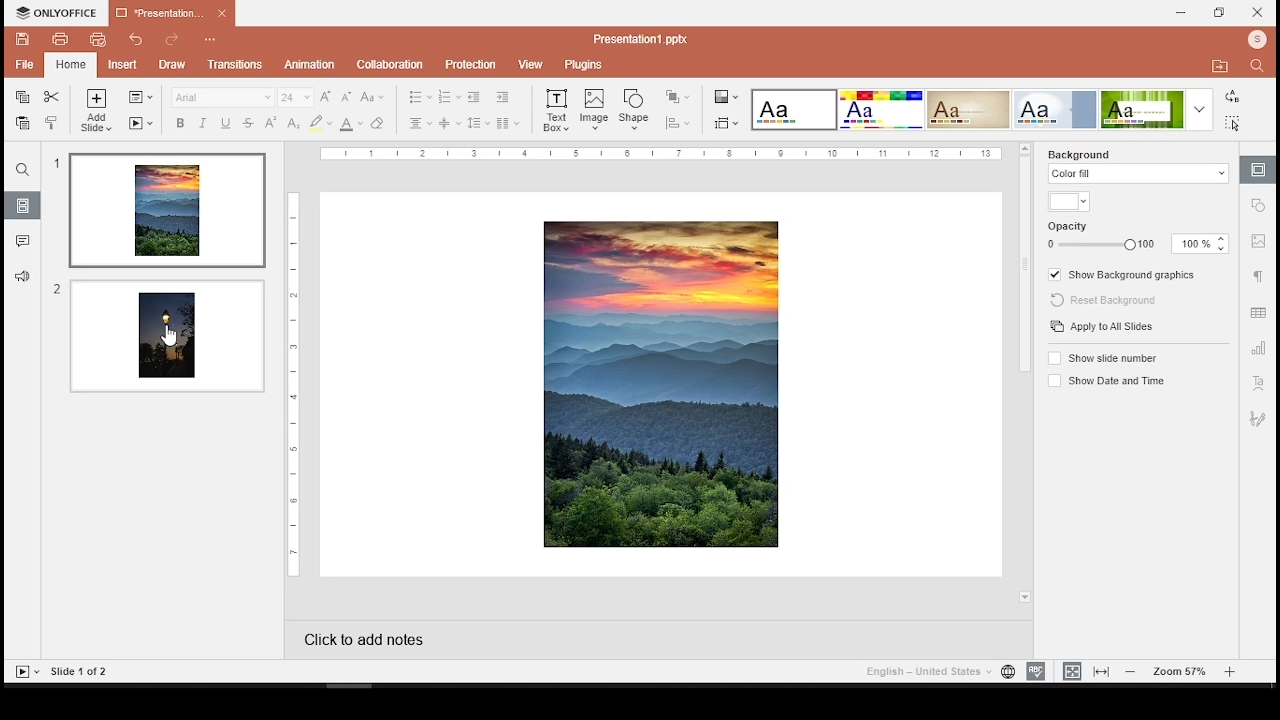  Describe the element at coordinates (1111, 301) in the screenshot. I see `reset background` at that location.